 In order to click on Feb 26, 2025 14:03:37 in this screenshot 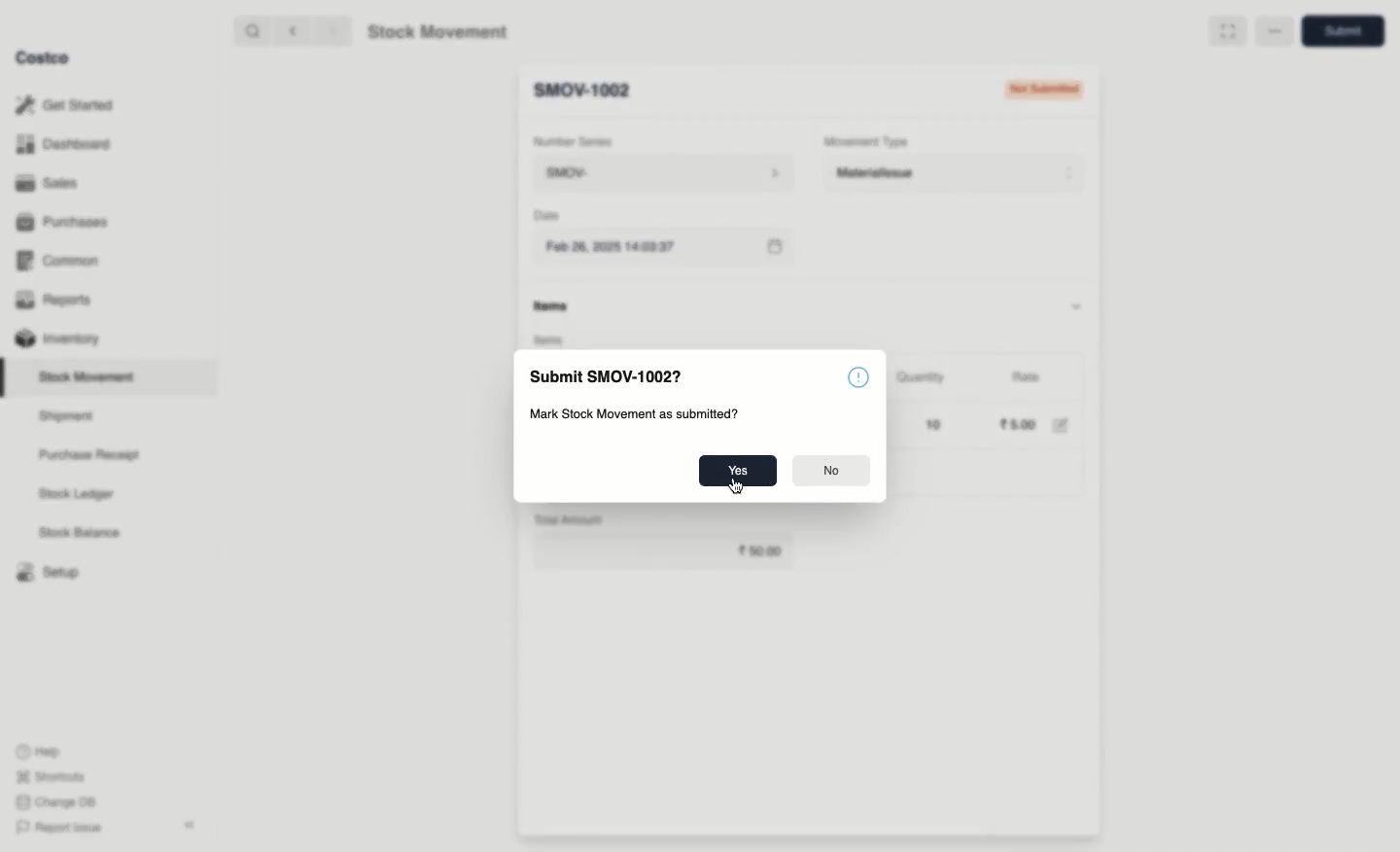, I will do `click(662, 248)`.